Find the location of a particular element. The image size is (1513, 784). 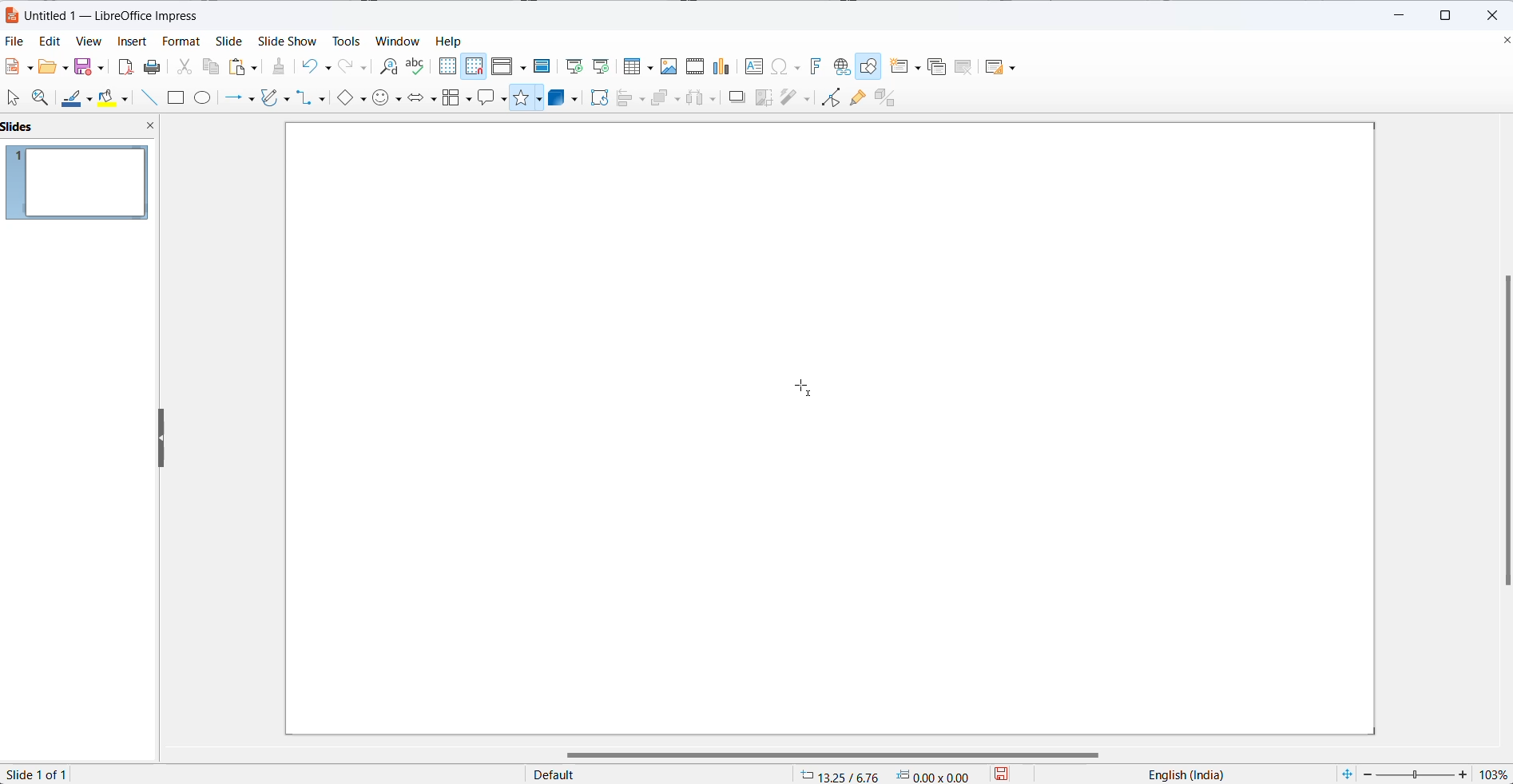

connectors is located at coordinates (316, 99).